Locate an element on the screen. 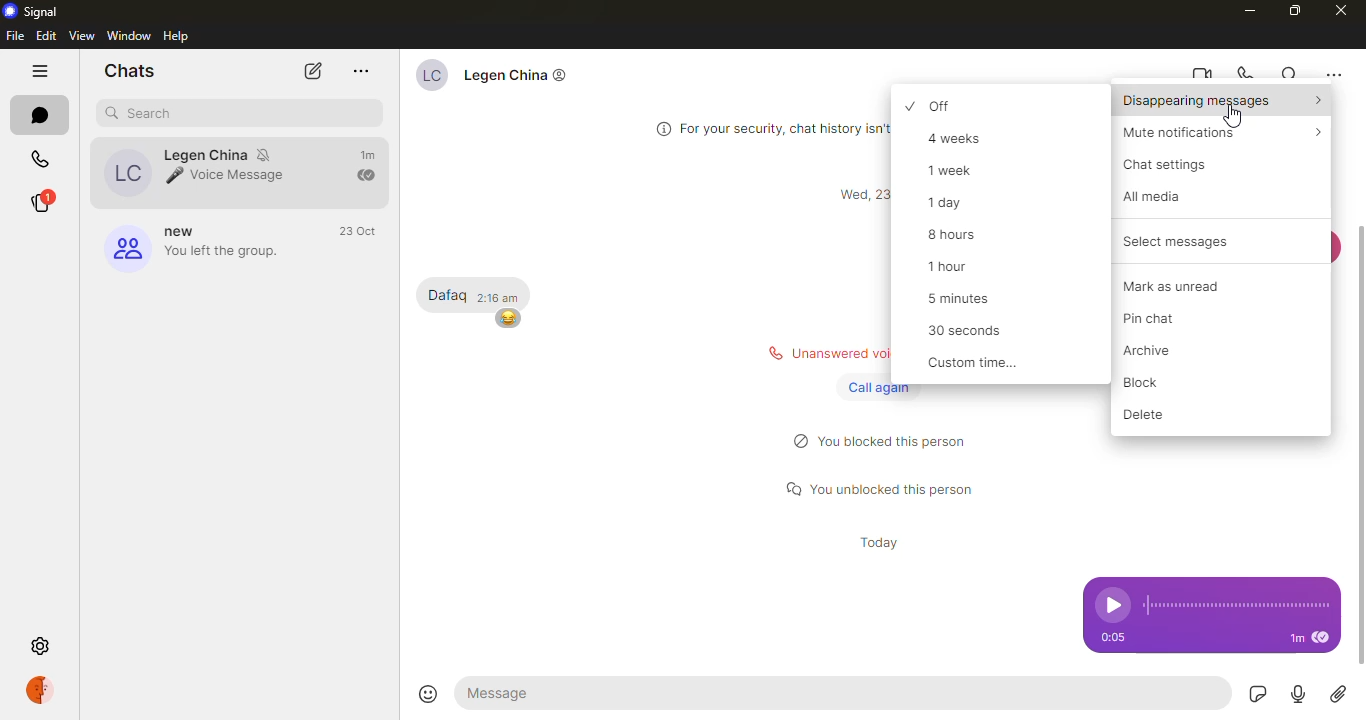  search is located at coordinates (1290, 74).